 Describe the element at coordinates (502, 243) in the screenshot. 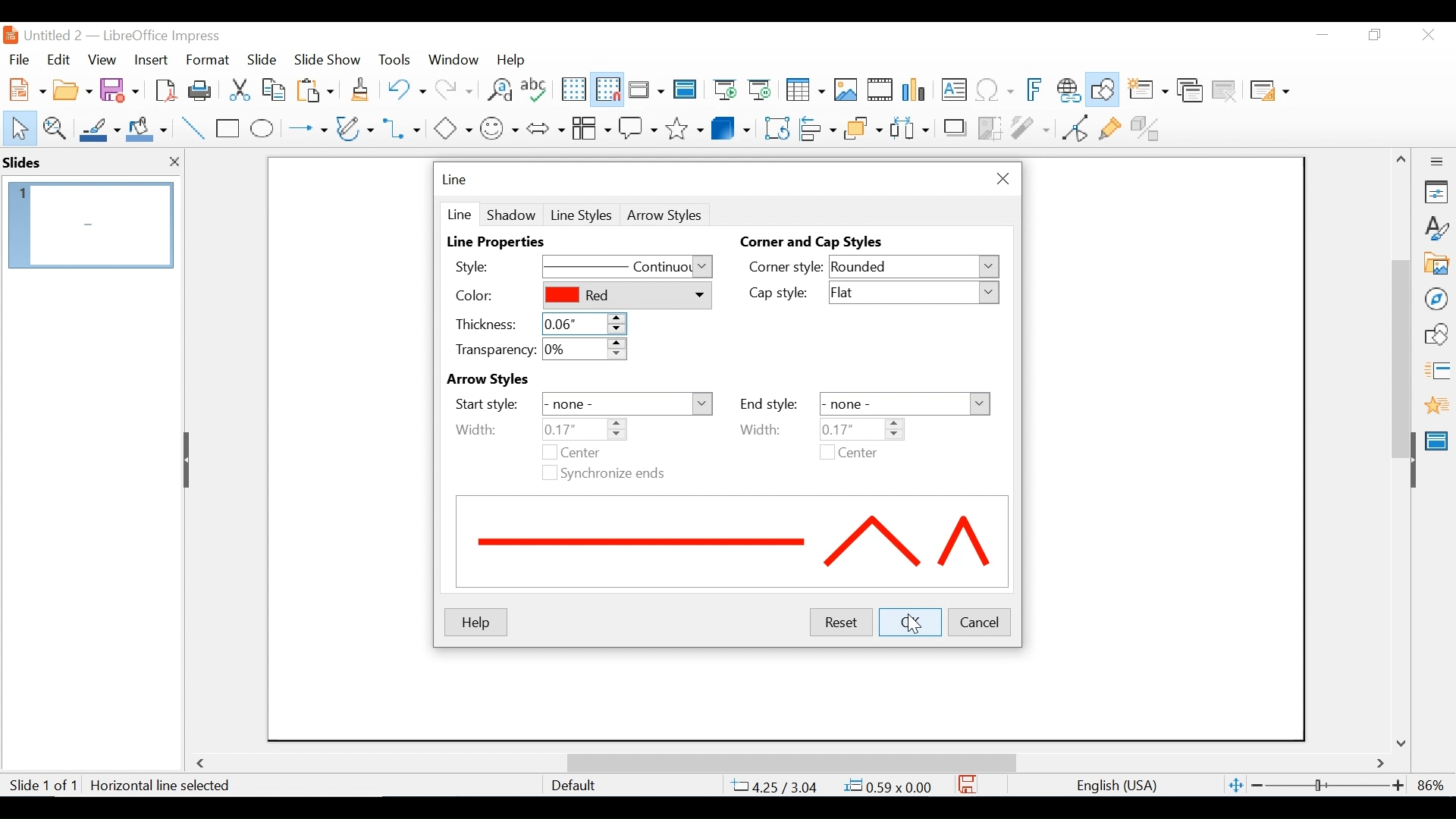

I see `Line Properties` at that location.